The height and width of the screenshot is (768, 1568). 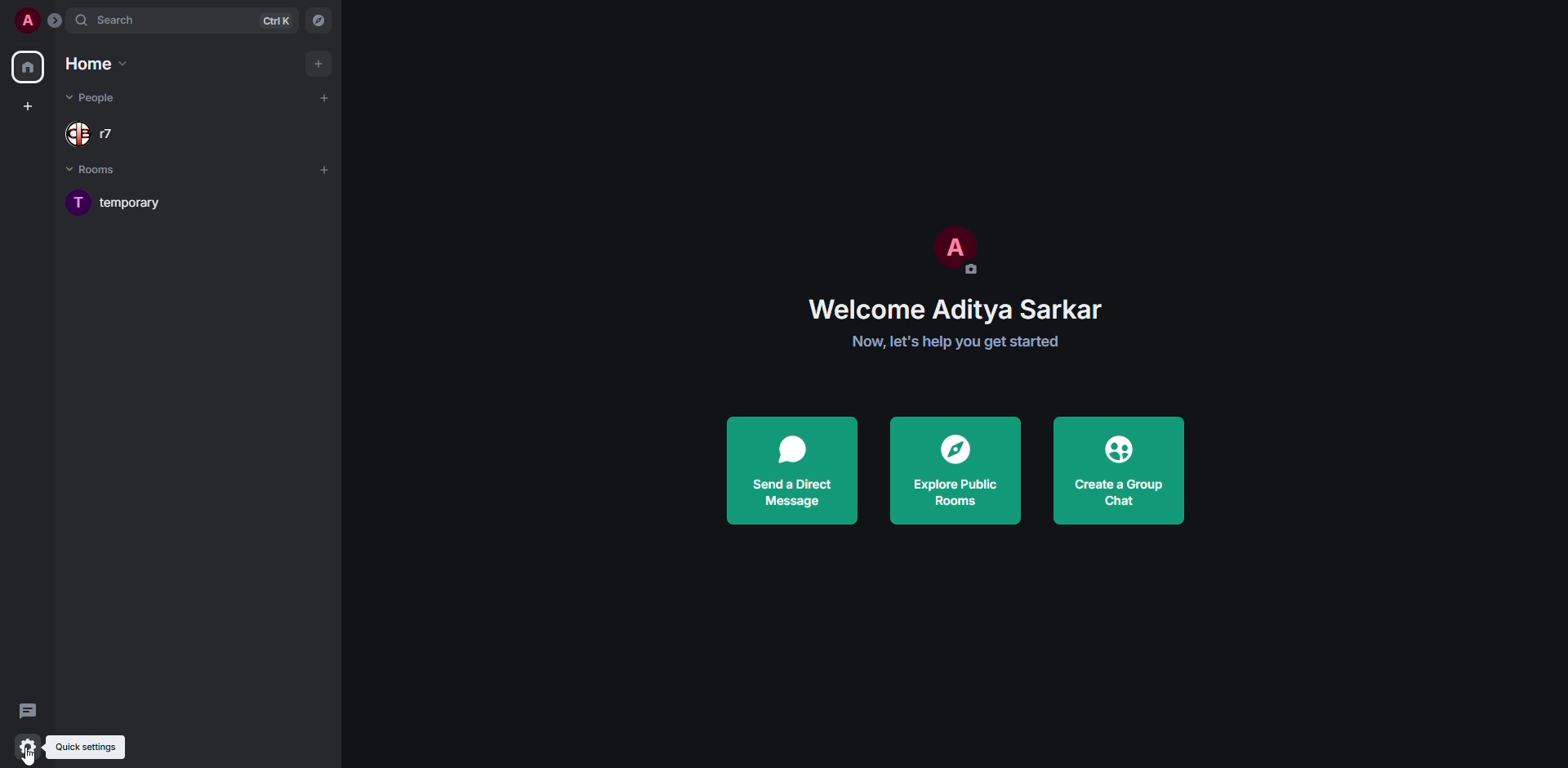 I want to click on quick settings, so click(x=28, y=746).